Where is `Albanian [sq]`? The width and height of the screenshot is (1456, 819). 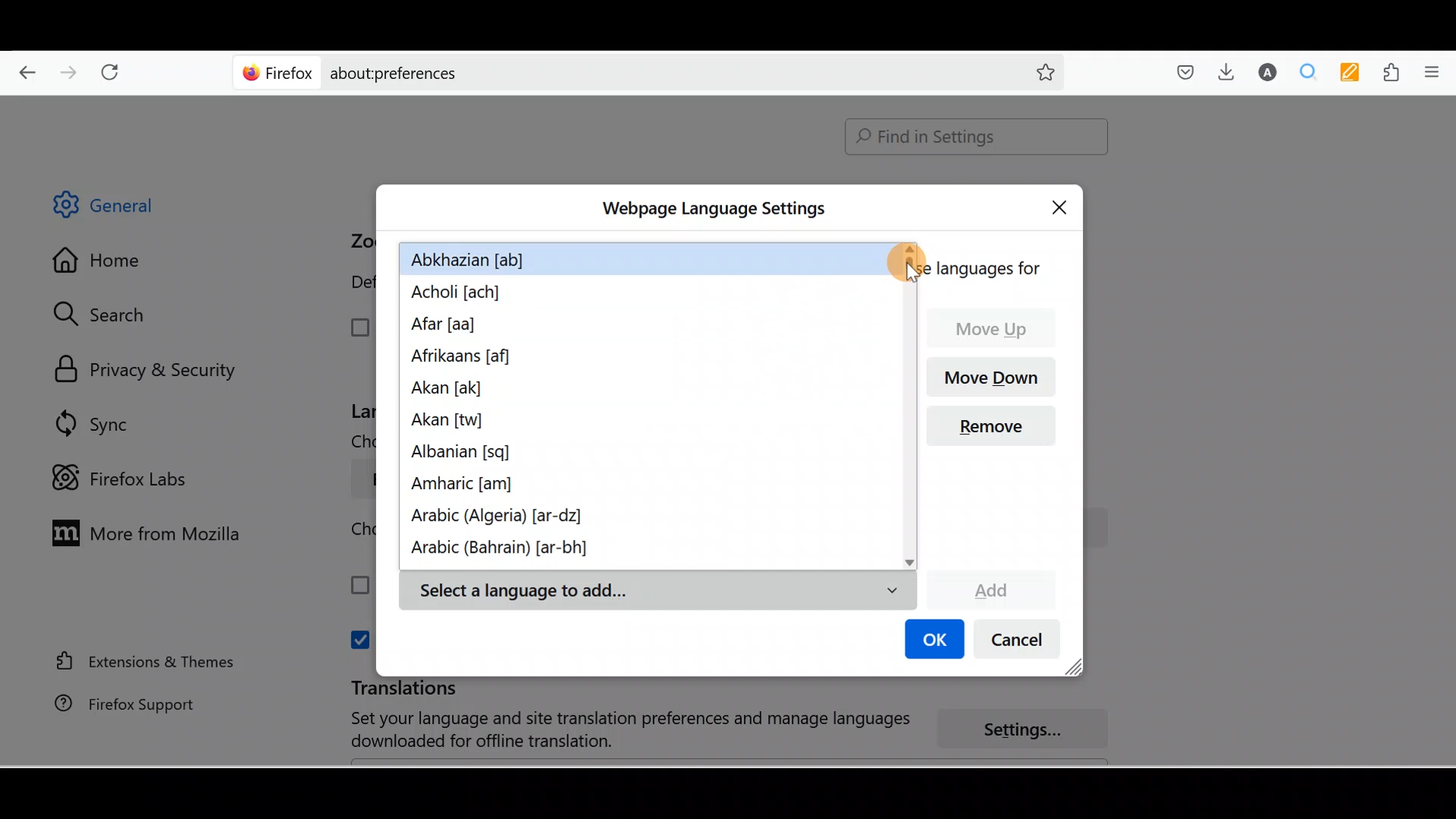
Albanian [sq] is located at coordinates (465, 457).